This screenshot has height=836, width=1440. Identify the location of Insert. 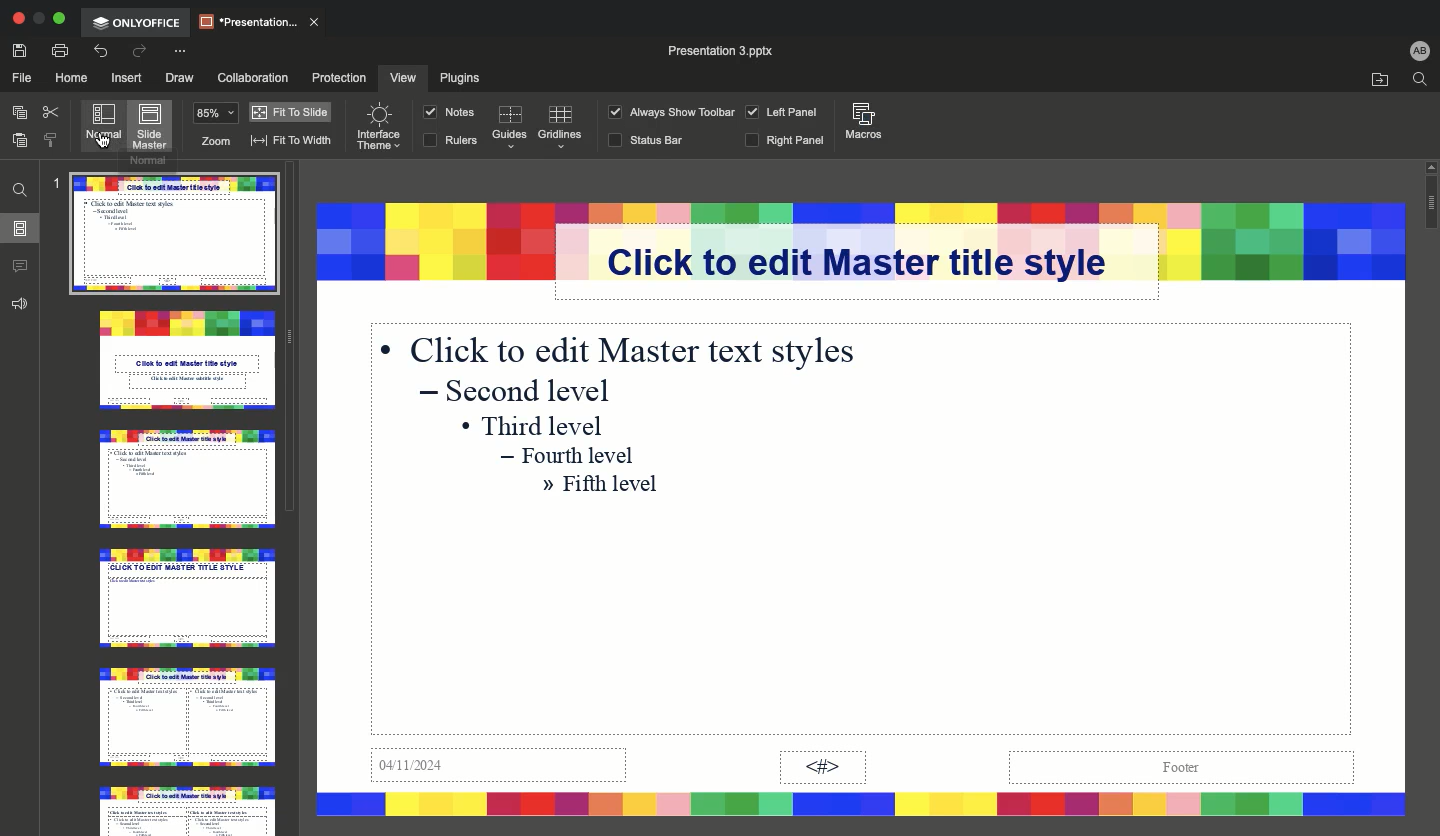
(126, 76).